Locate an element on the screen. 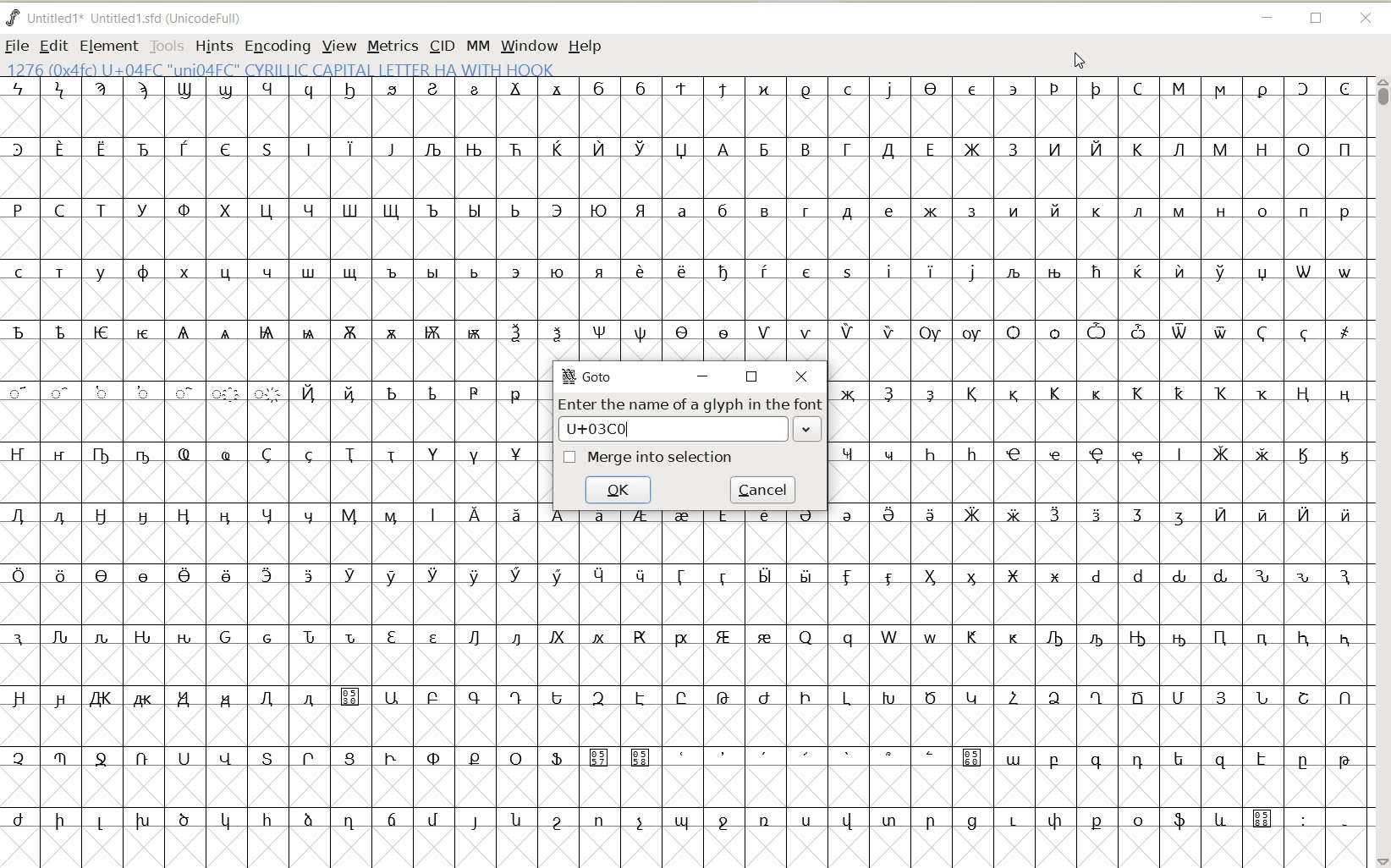  VIEW is located at coordinates (339, 45).